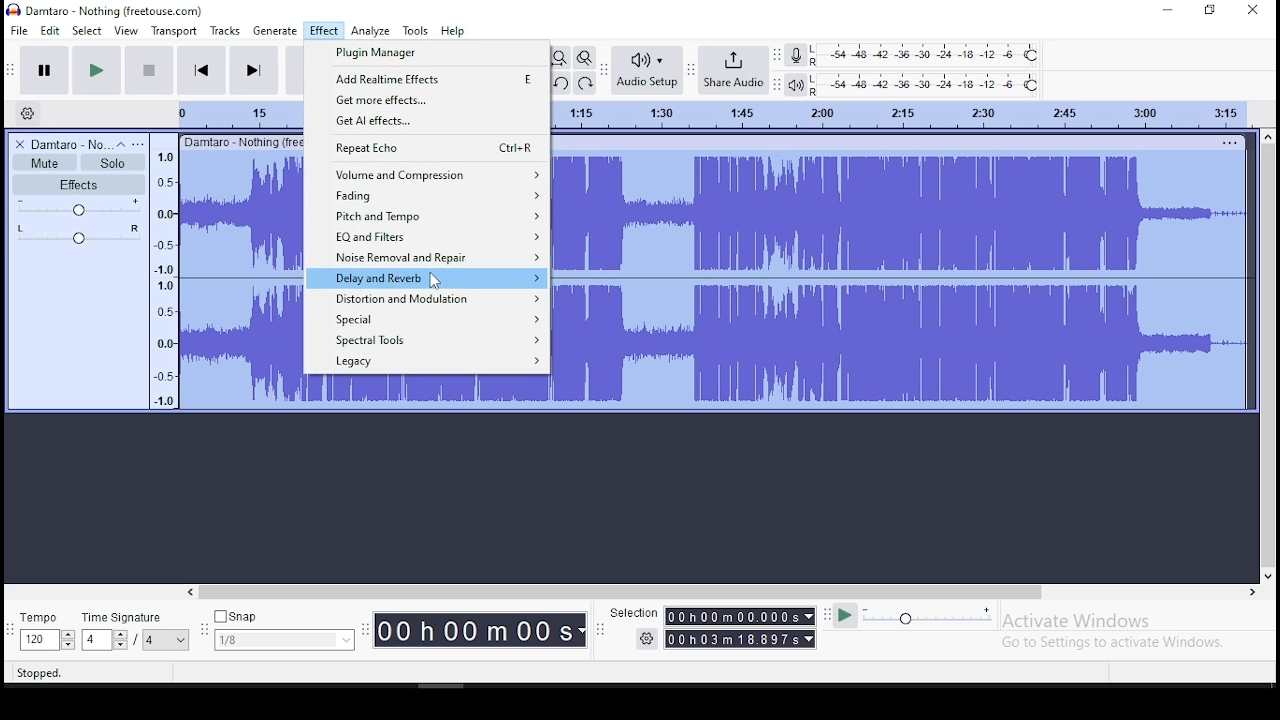 The width and height of the screenshot is (1280, 720). I want to click on delay and reverb, so click(425, 277).